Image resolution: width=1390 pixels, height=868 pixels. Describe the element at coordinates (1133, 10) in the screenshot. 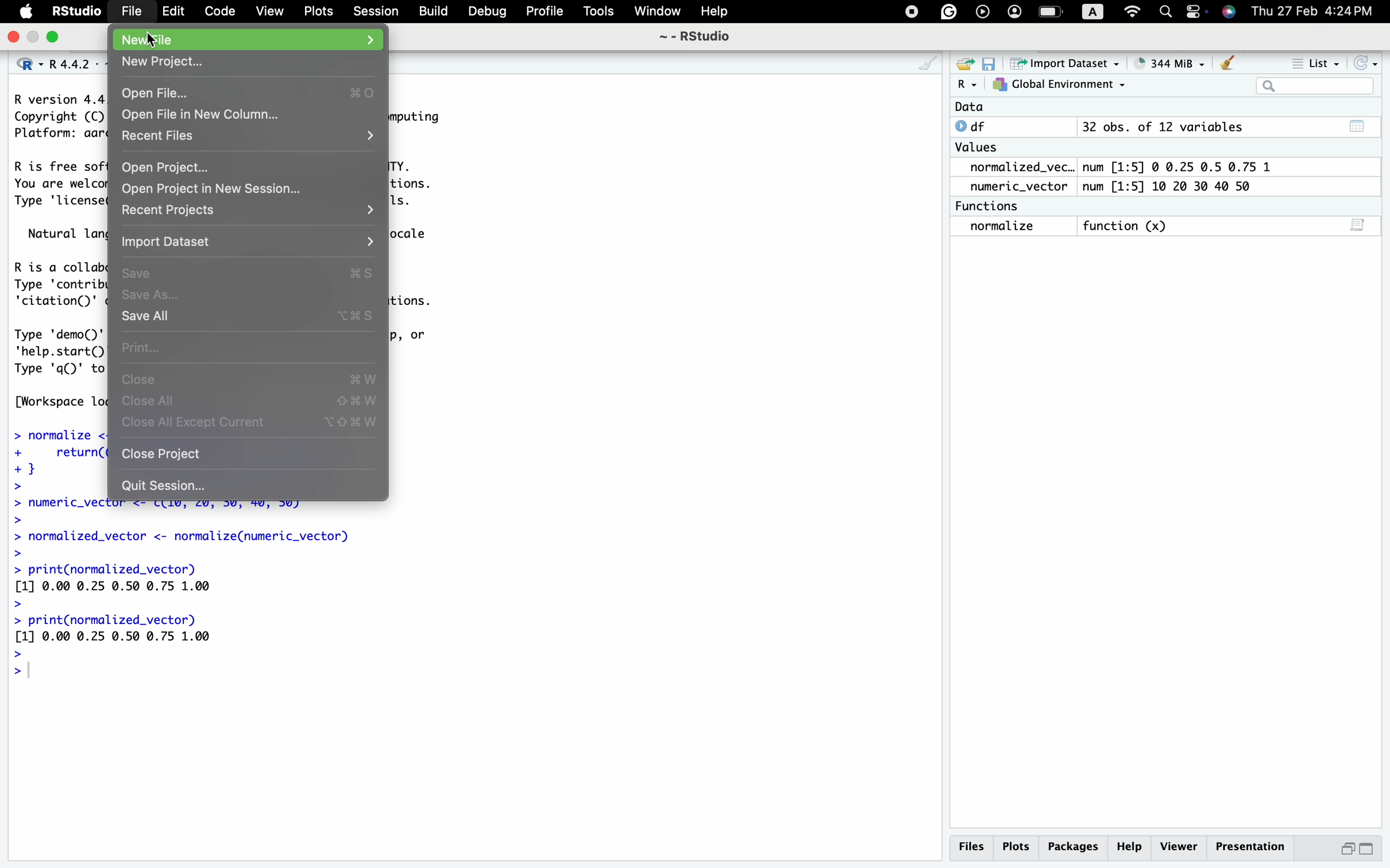

I see `wifi` at that location.